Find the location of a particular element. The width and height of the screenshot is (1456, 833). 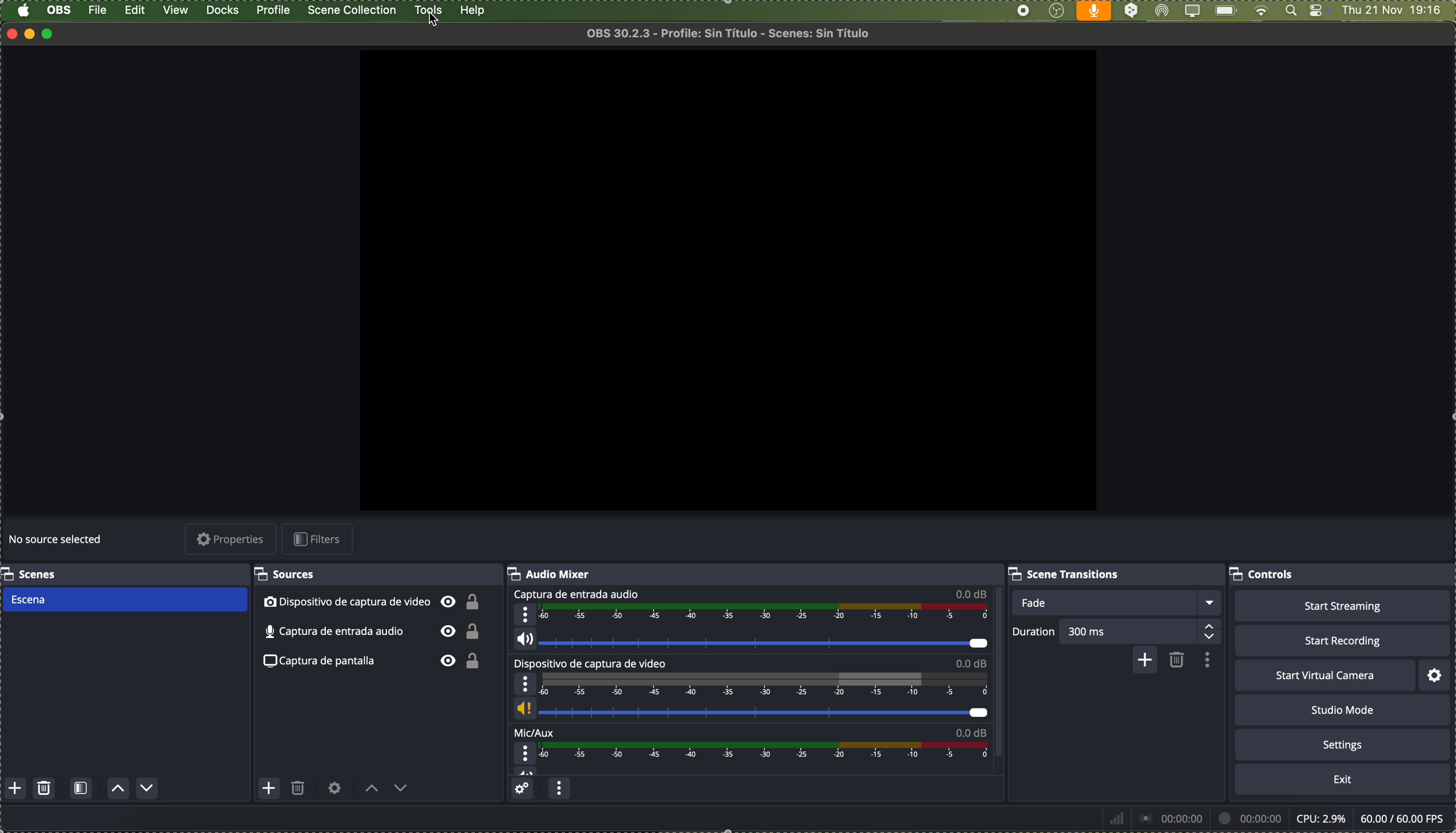

cursor is located at coordinates (436, 22).